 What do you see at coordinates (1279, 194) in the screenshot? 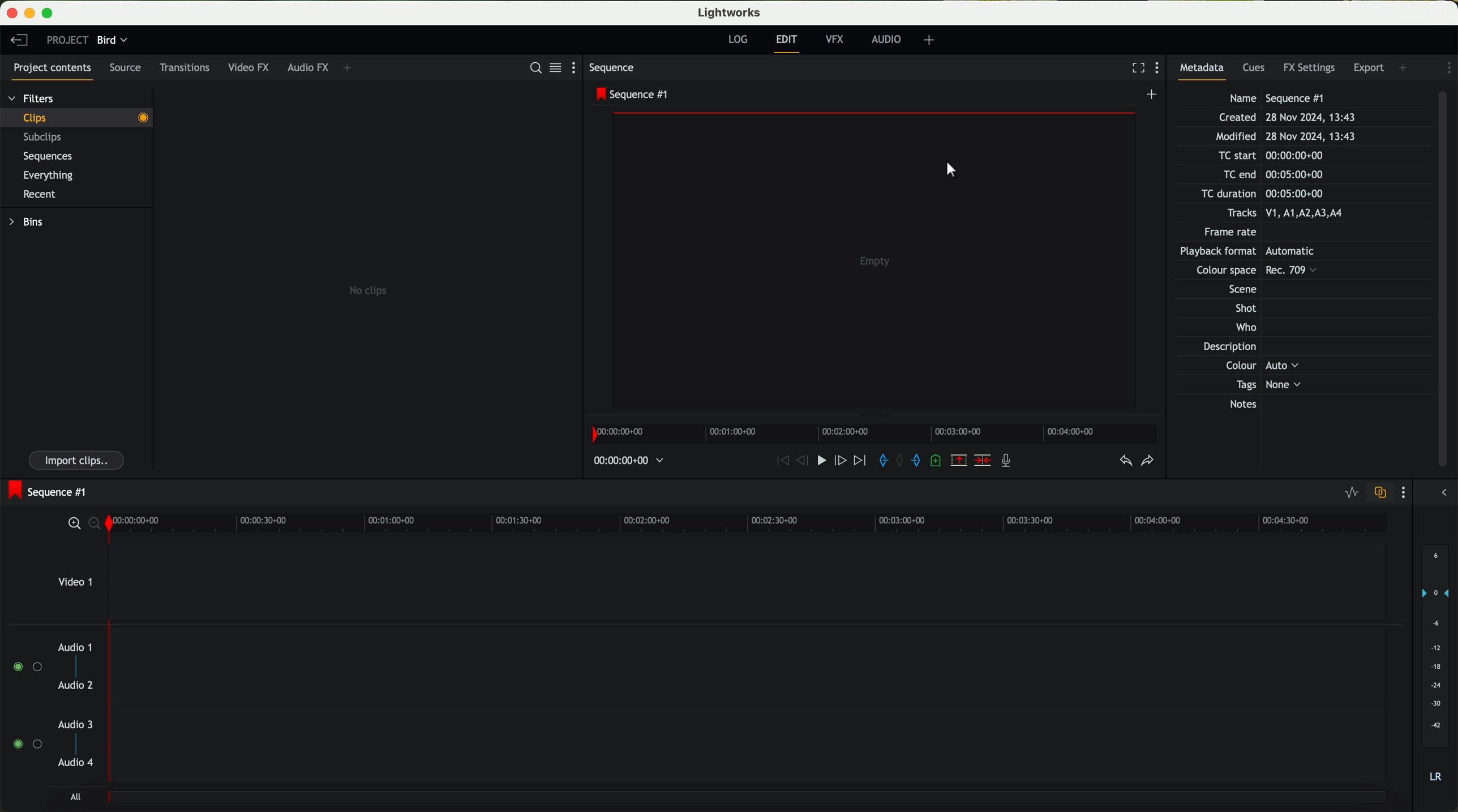
I see `TC duration` at bounding box center [1279, 194].